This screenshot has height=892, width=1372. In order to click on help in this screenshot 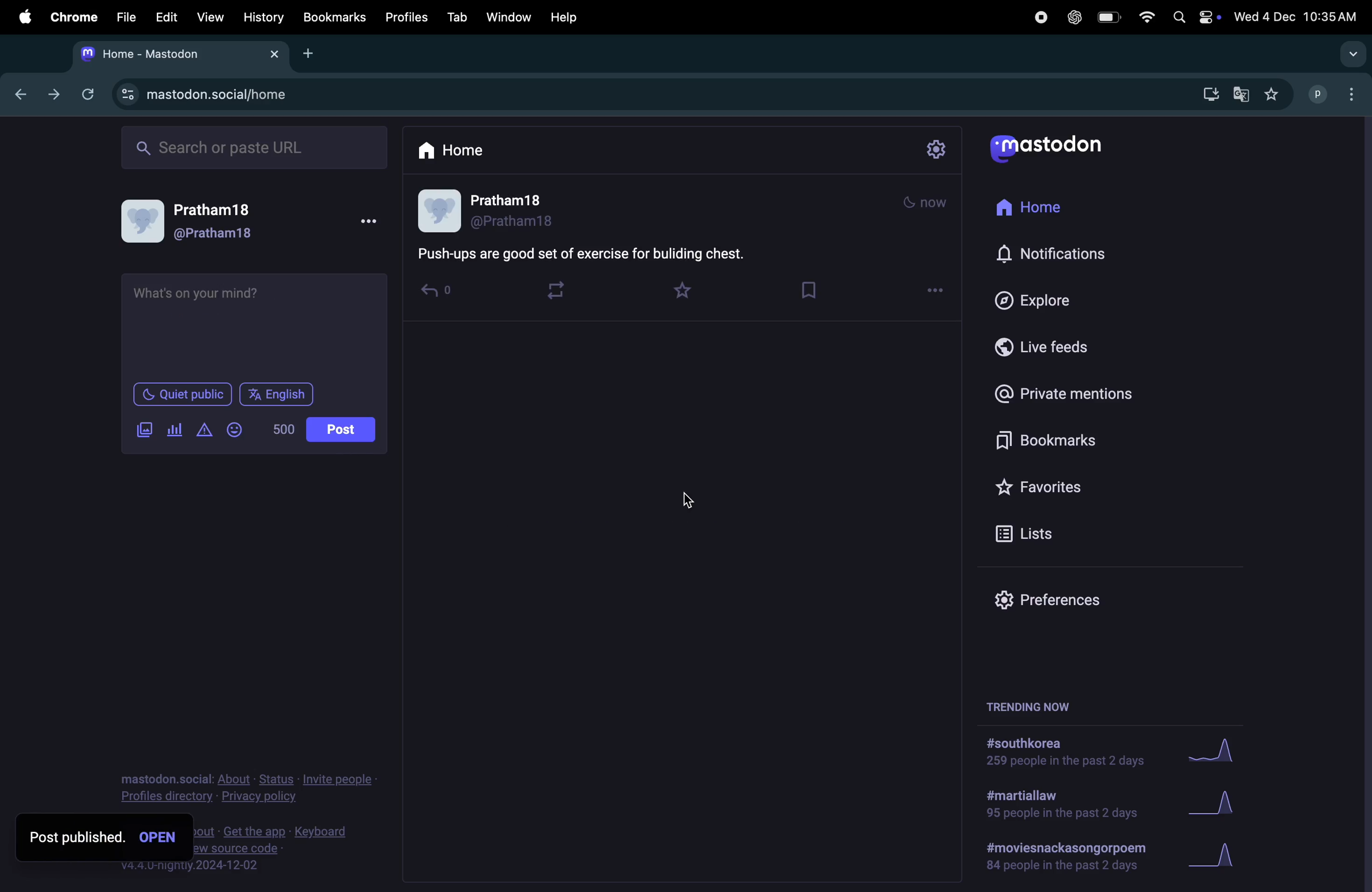, I will do `click(574, 14)`.